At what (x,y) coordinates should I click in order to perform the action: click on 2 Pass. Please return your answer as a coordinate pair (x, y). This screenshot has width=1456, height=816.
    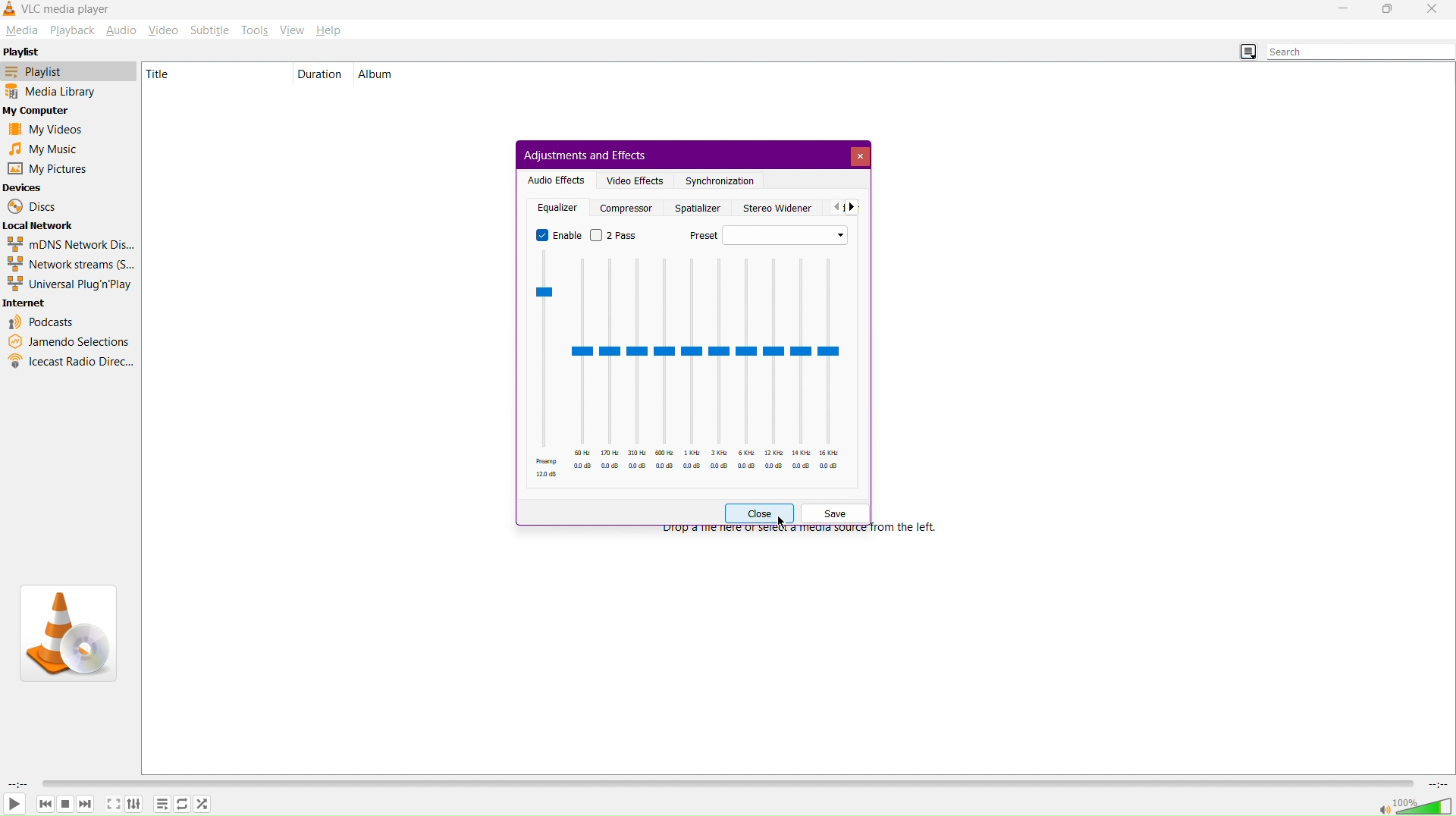
    Looking at the image, I should click on (615, 238).